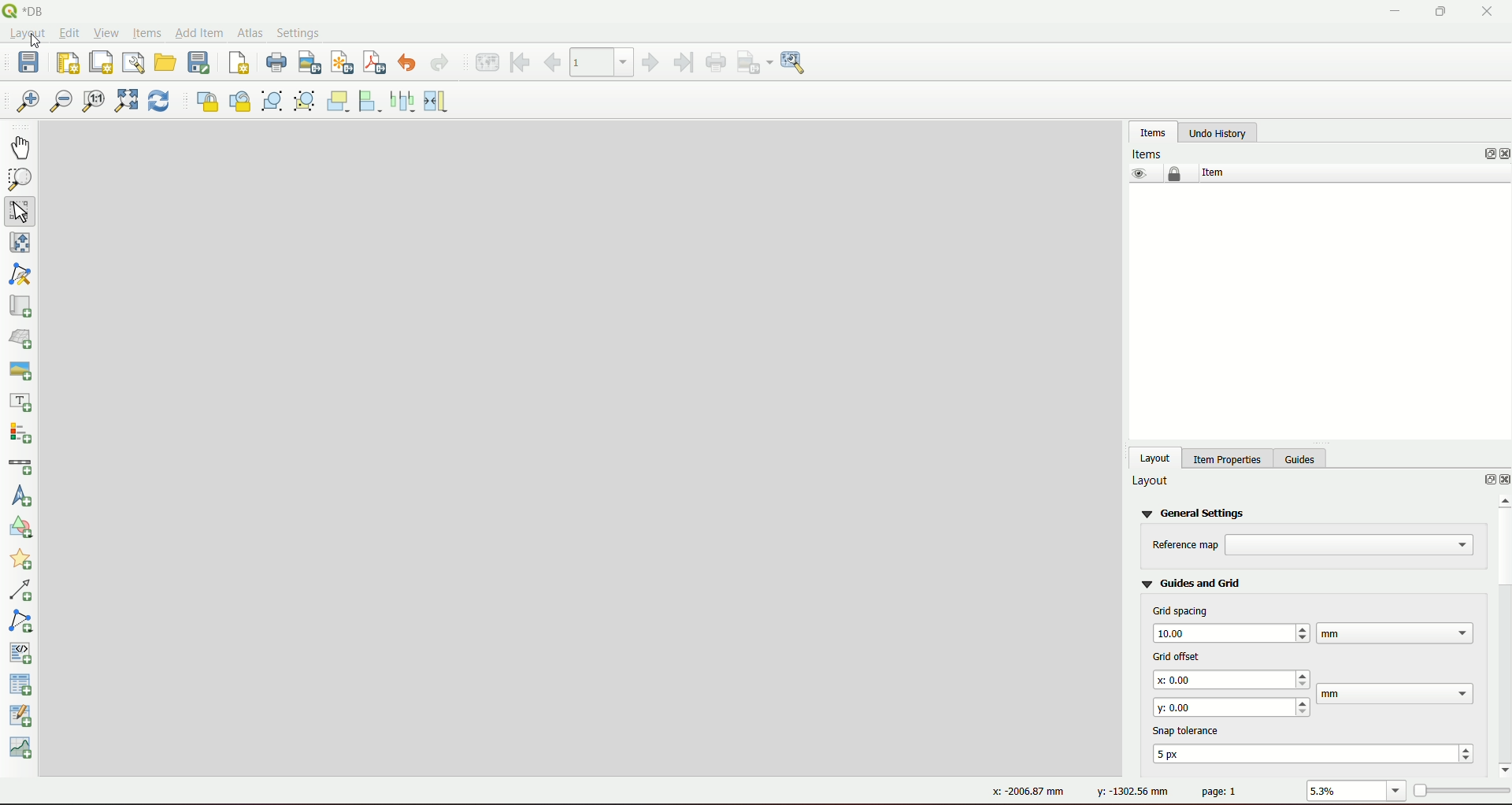  I want to click on print atlas, so click(717, 63).